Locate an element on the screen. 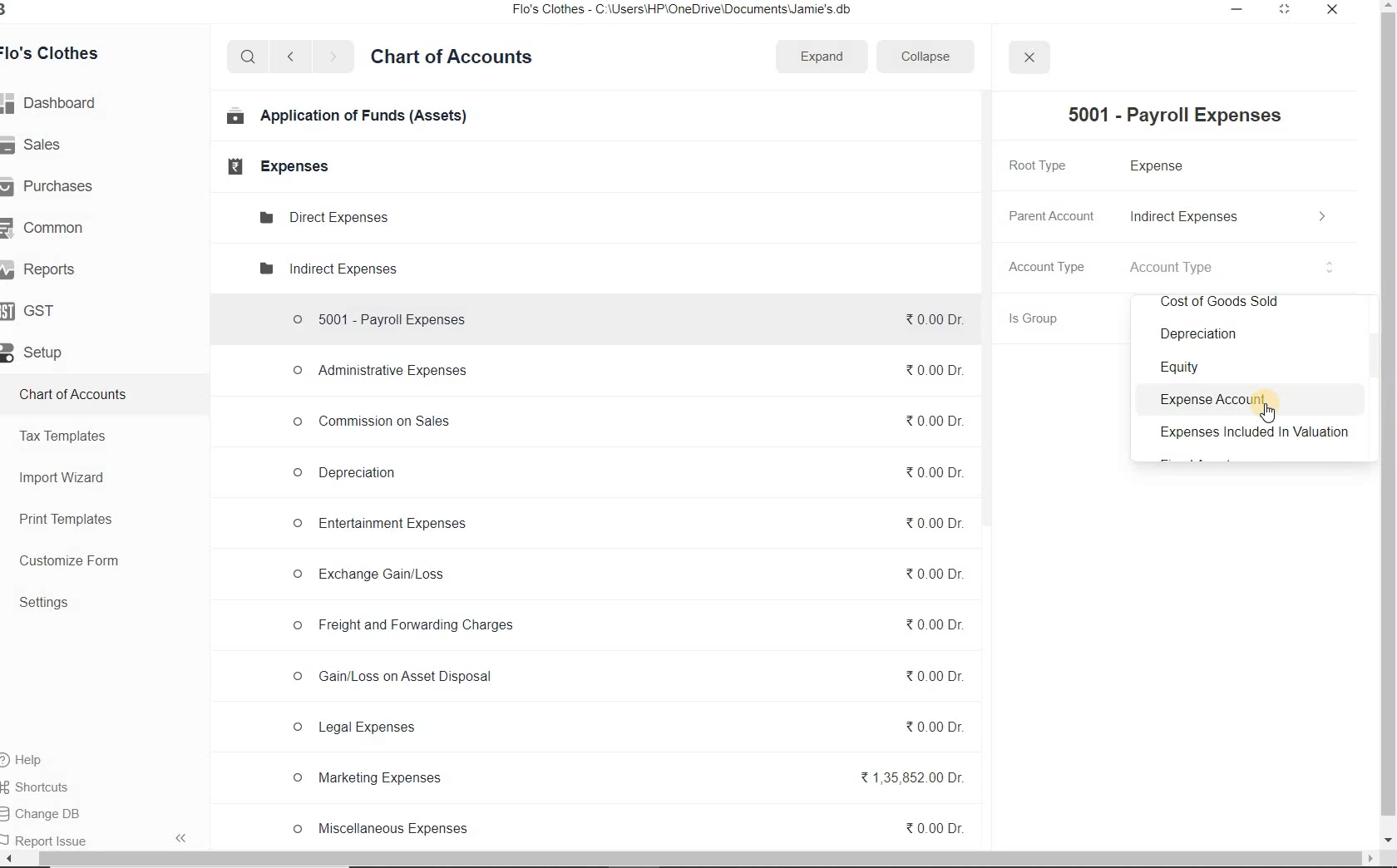 The image size is (1397, 868). move down is located at coordinates (1389, 841).